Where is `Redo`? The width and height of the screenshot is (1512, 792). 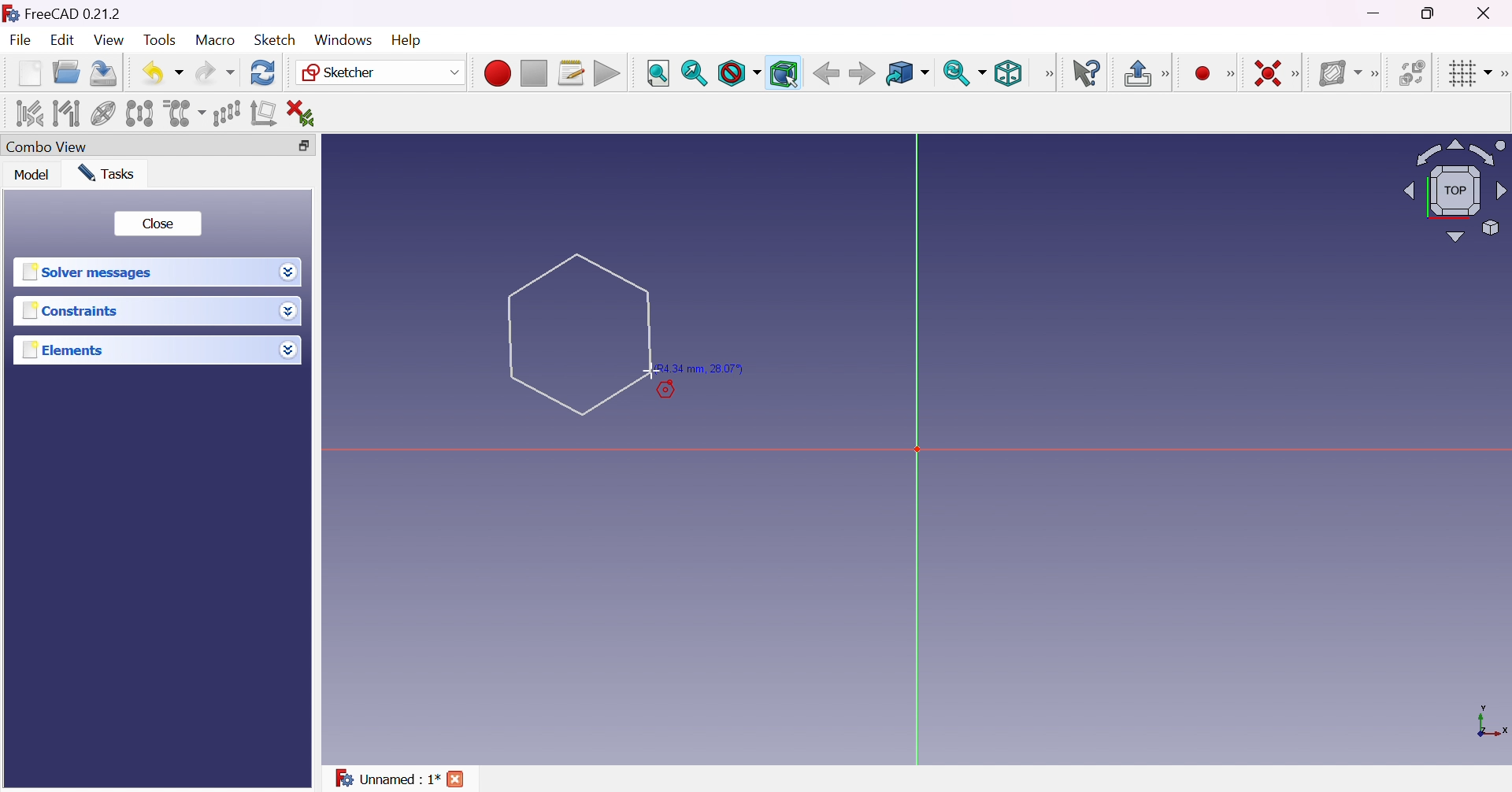
Redo is located at coordinates (215, 72).